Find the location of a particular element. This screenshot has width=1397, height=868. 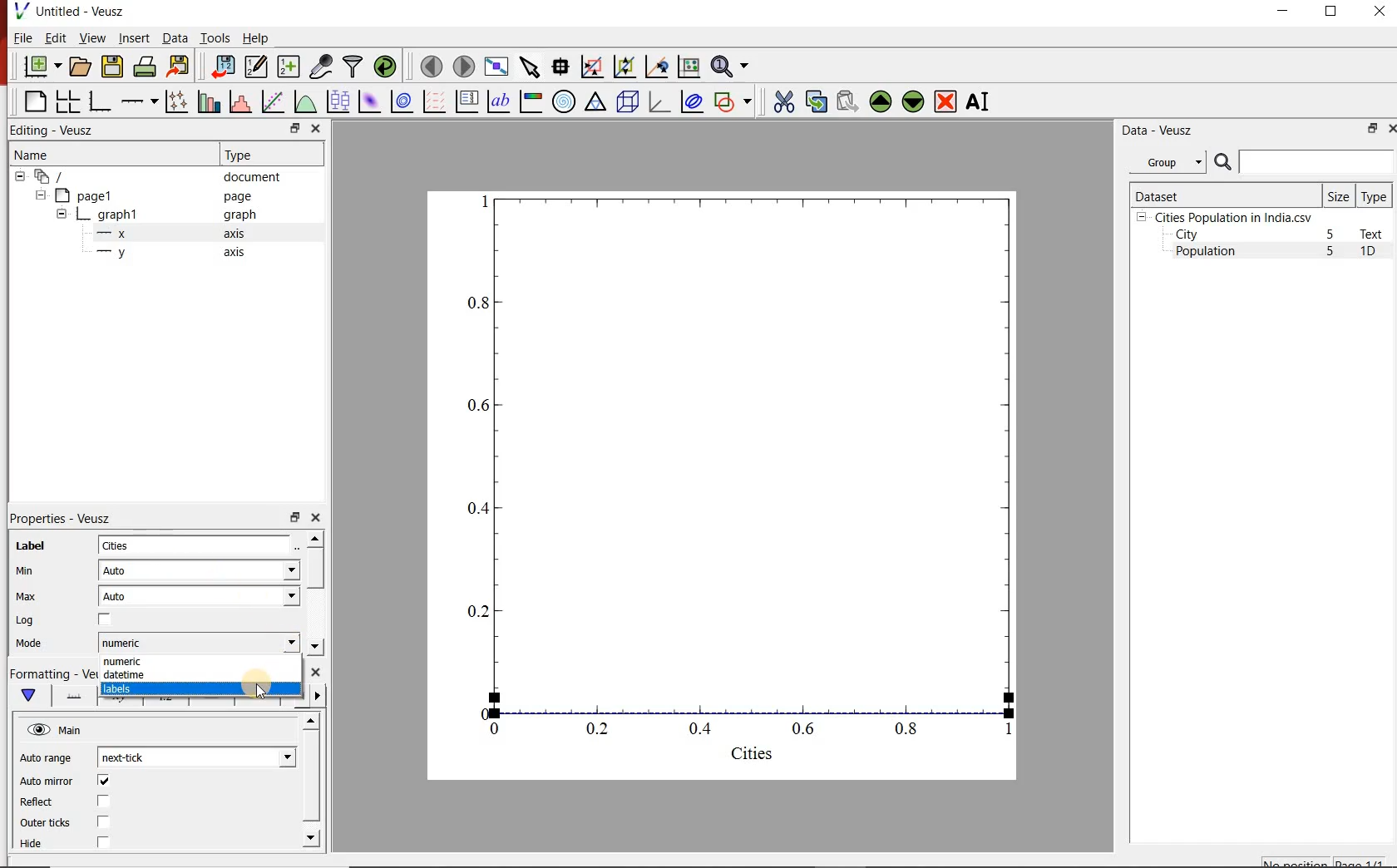

Log is located at coordinates (27, 621).